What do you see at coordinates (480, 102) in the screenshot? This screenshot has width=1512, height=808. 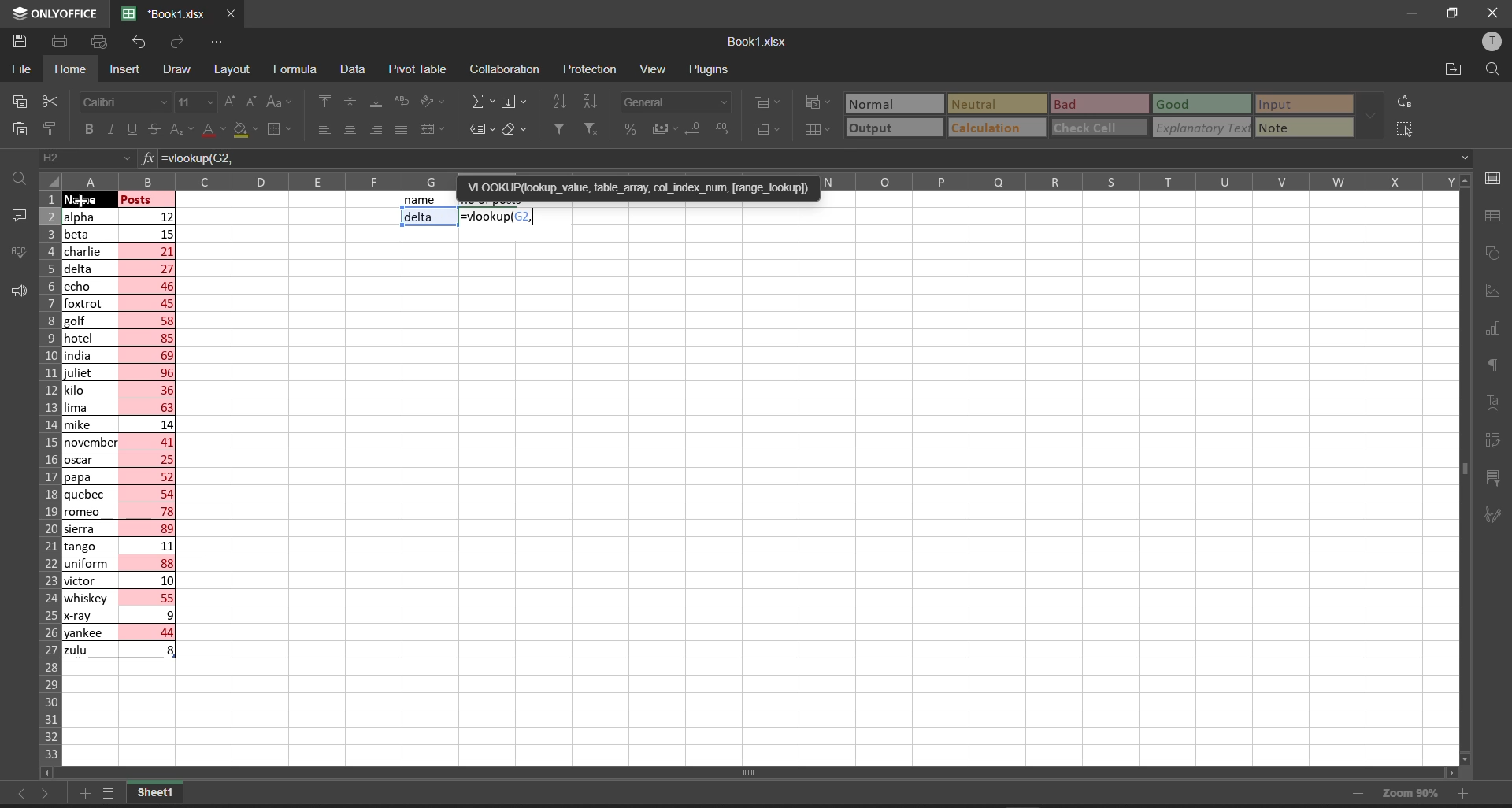 I see `summation` at bounding box center [480, 102].